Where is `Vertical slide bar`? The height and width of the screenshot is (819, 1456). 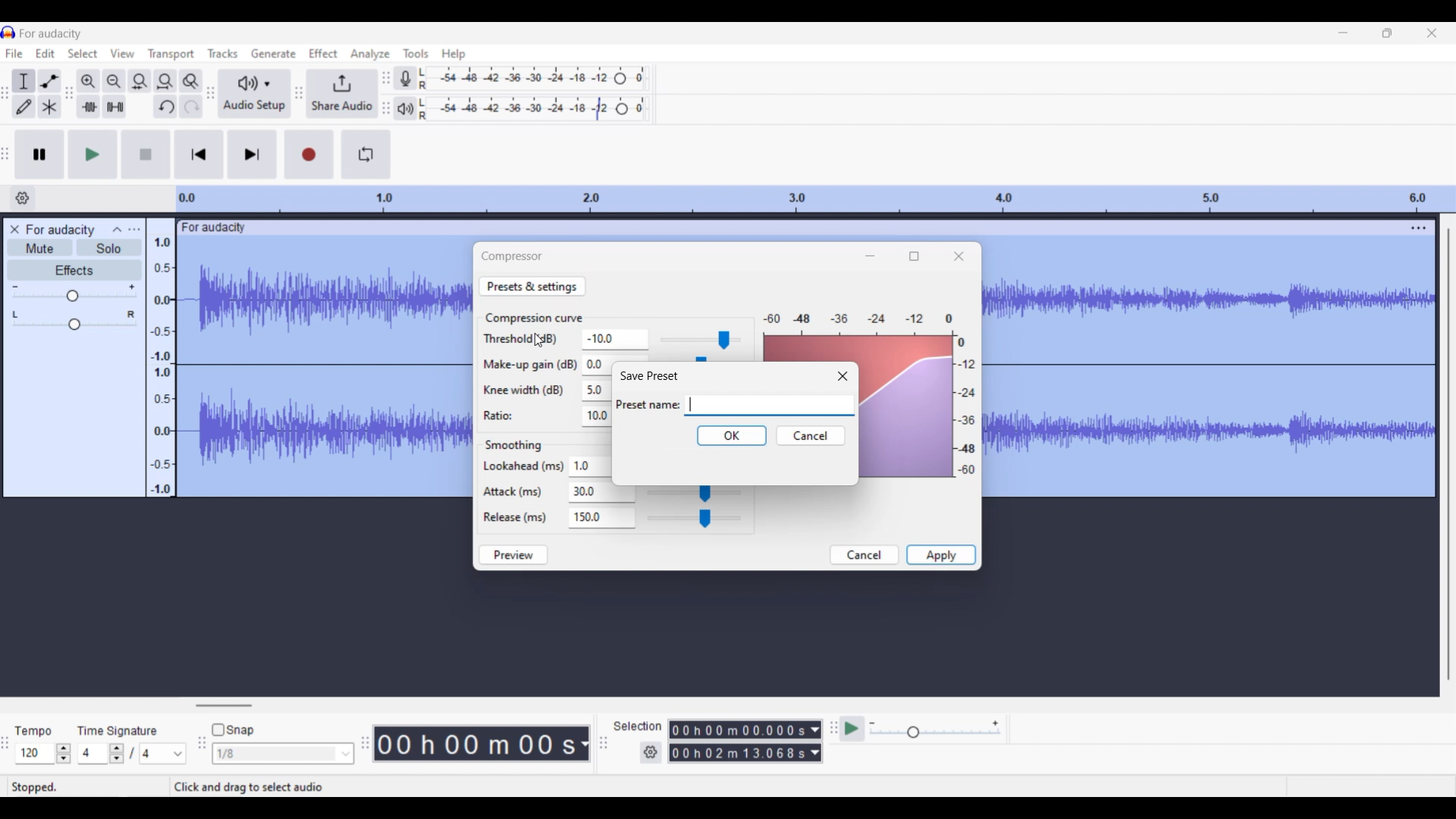
Vertical slide bar is located at coordinates (1449, 456).